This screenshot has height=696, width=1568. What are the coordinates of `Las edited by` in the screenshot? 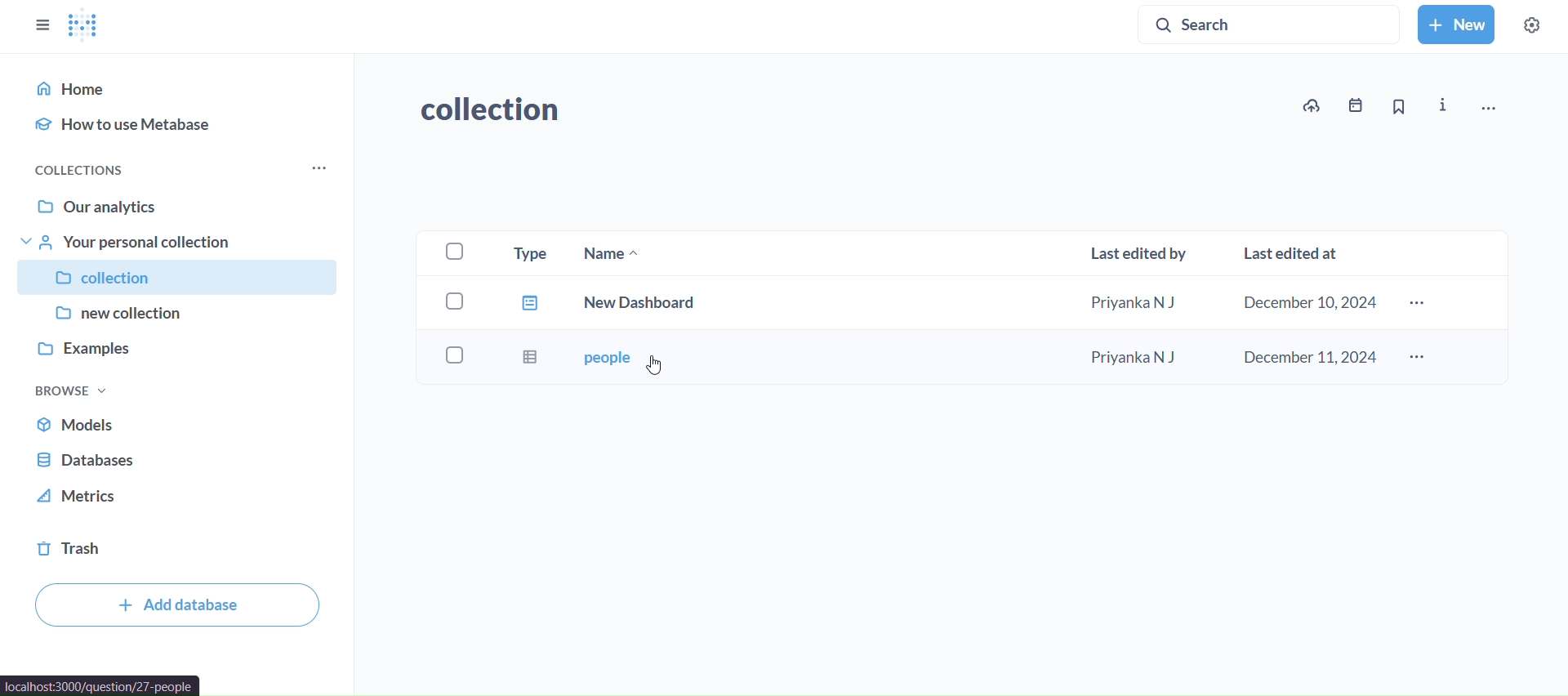 It's located at (1134, 255).